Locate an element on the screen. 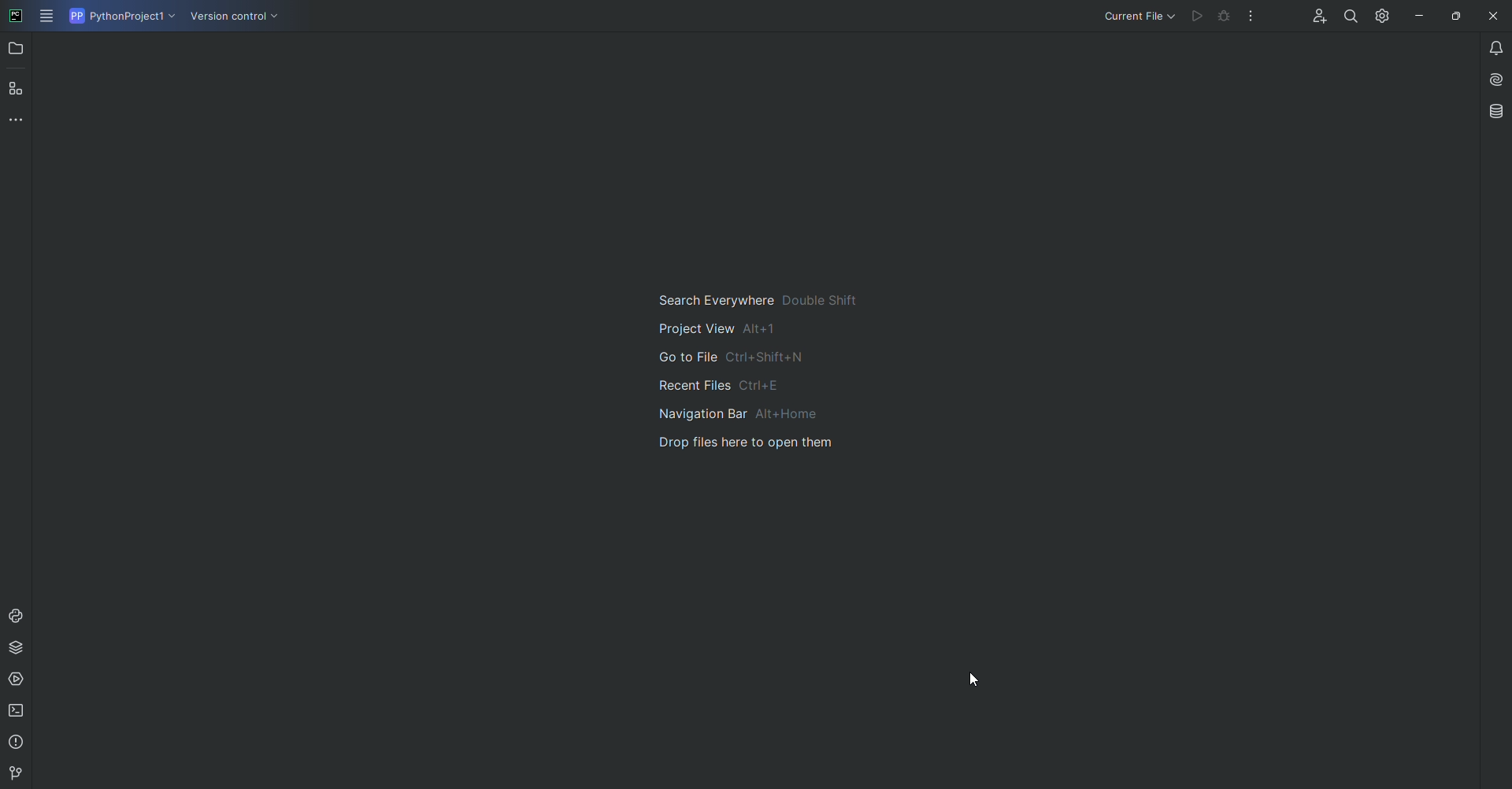  More Options is located at coordinates (1254, 20).